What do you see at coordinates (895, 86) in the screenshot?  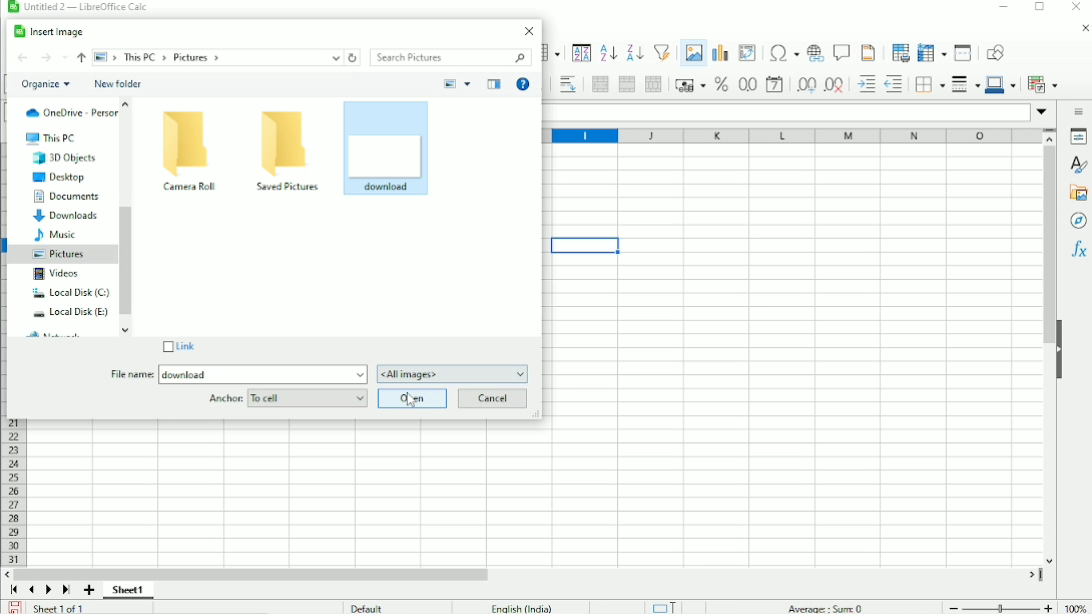 I see `Decrease indent` at bounding box center [895, 86].